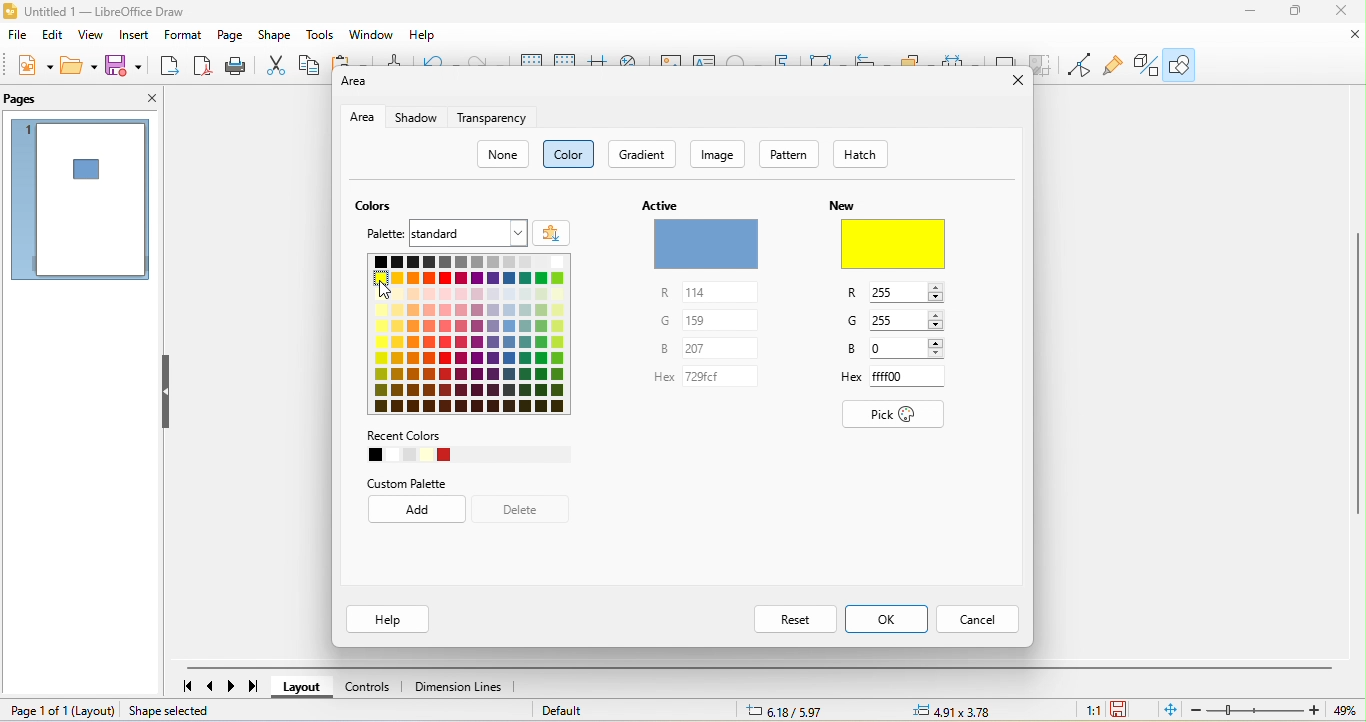  Describe the element at coordinates (1123, 710) in the screenshot. I see `the document has been modified click to save the document` at that location.